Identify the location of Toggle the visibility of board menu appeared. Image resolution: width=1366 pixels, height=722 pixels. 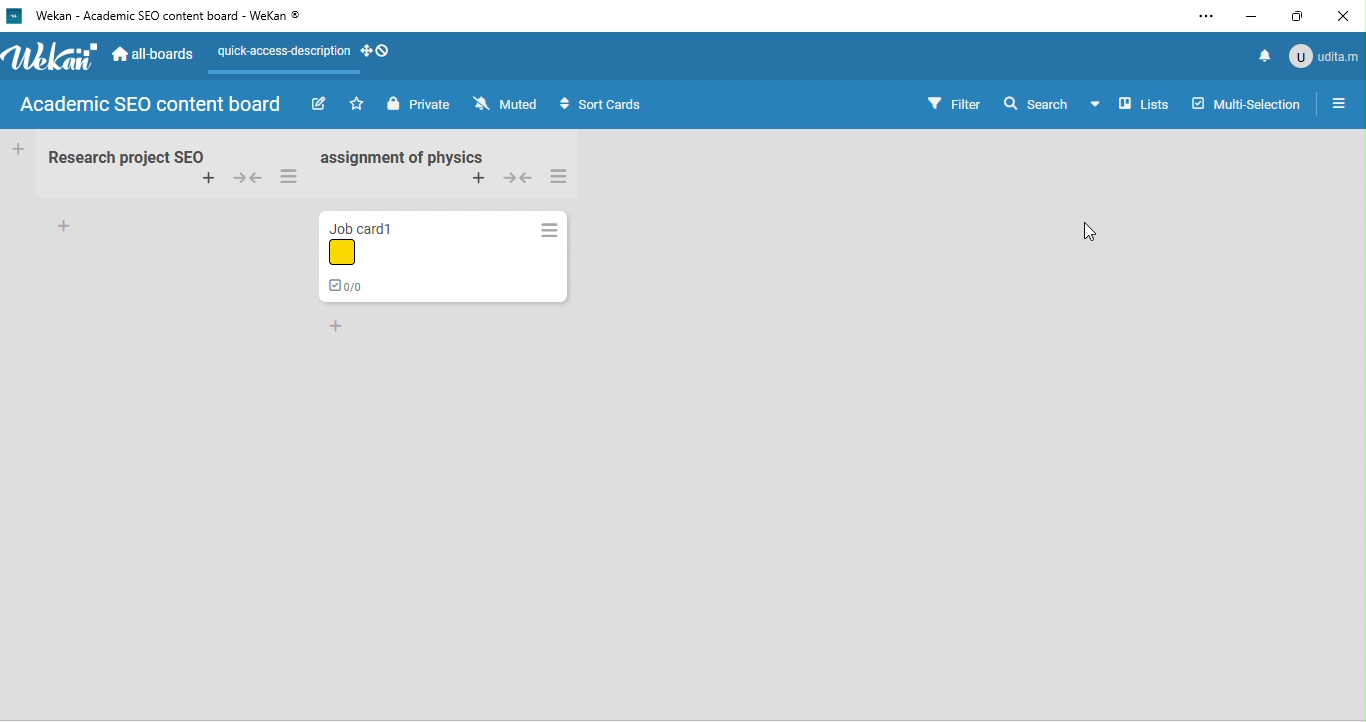
(1136, 104).